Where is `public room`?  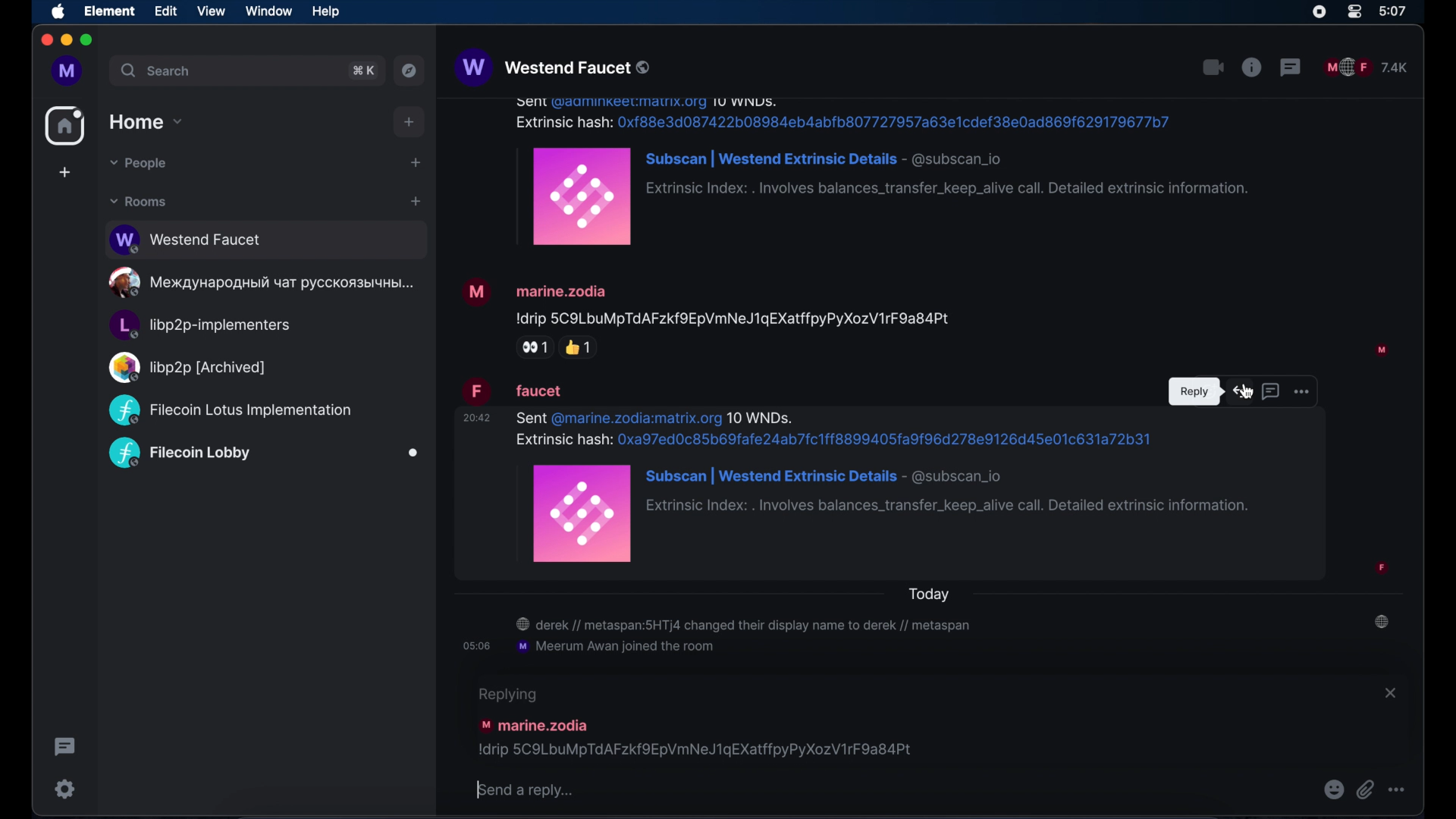 public room is located at coordinates (266, 240).